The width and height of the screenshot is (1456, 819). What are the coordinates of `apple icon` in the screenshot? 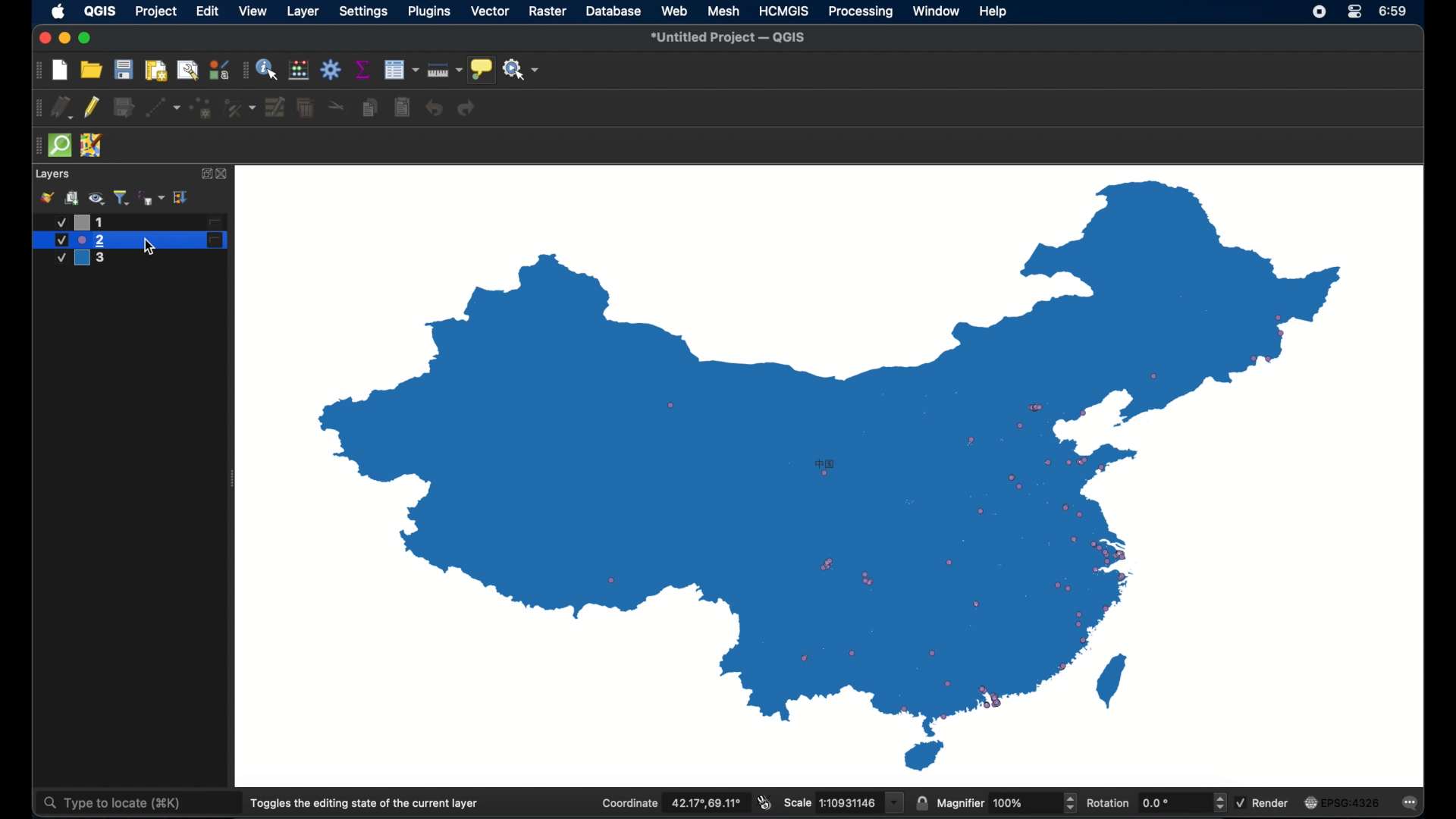 It's located at (59, 11).